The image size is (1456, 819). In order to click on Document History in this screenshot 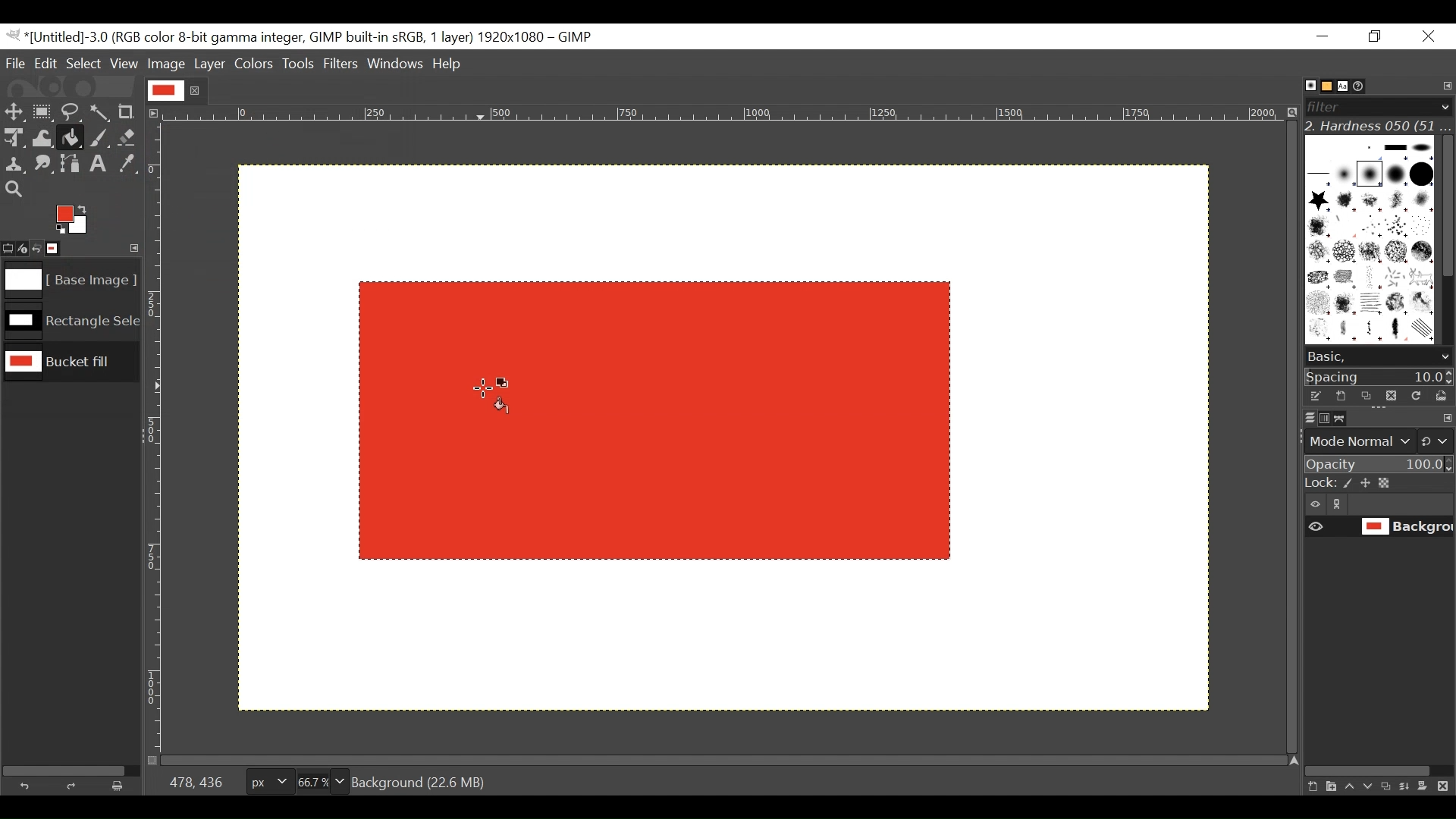, I will do `click(1364, 85)`.